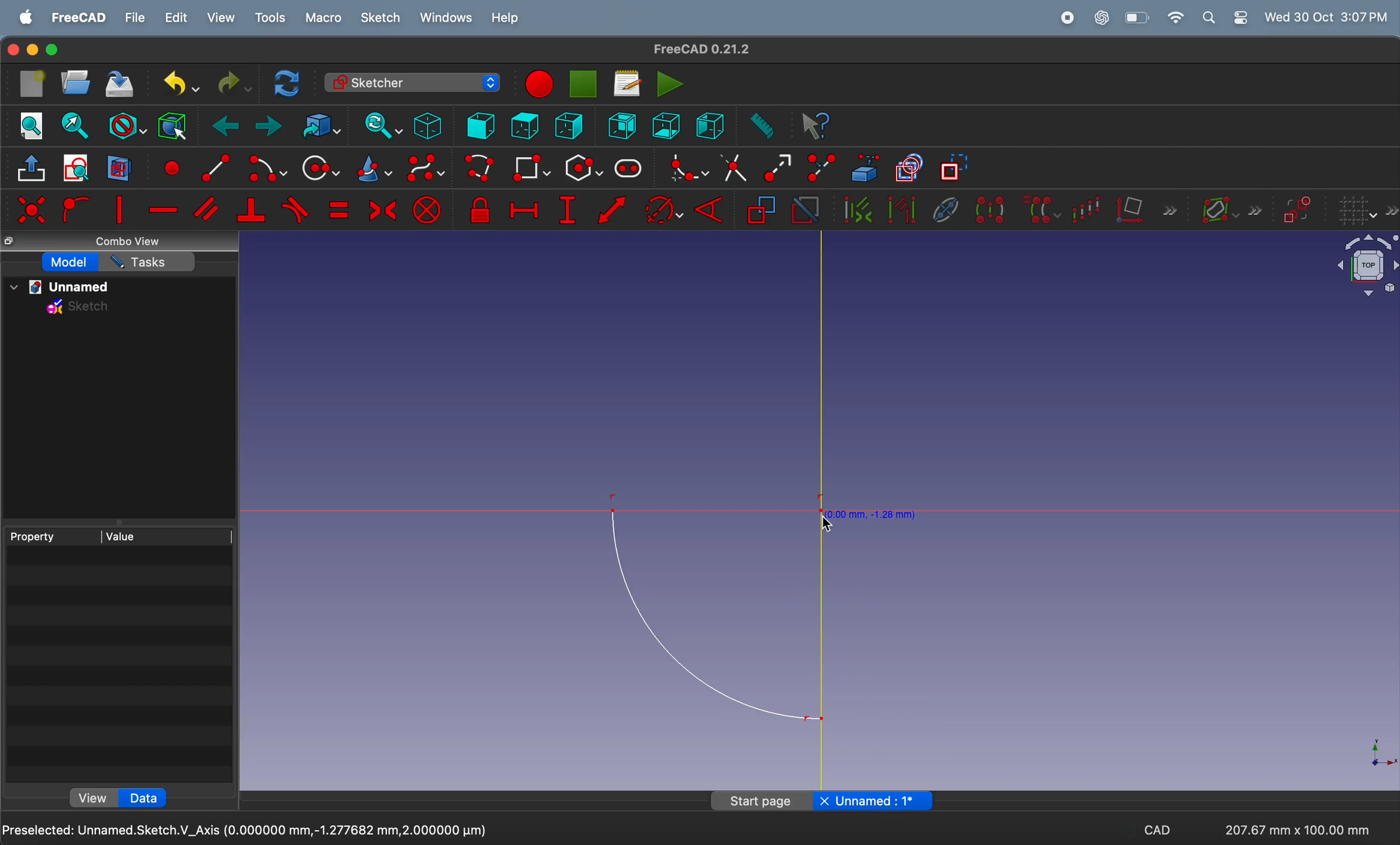 This screenshot has height=845, width=1400. What do you see at coordinates (119, 168) in the screenshot?
I see `view section` at bounding box center [119, 168].